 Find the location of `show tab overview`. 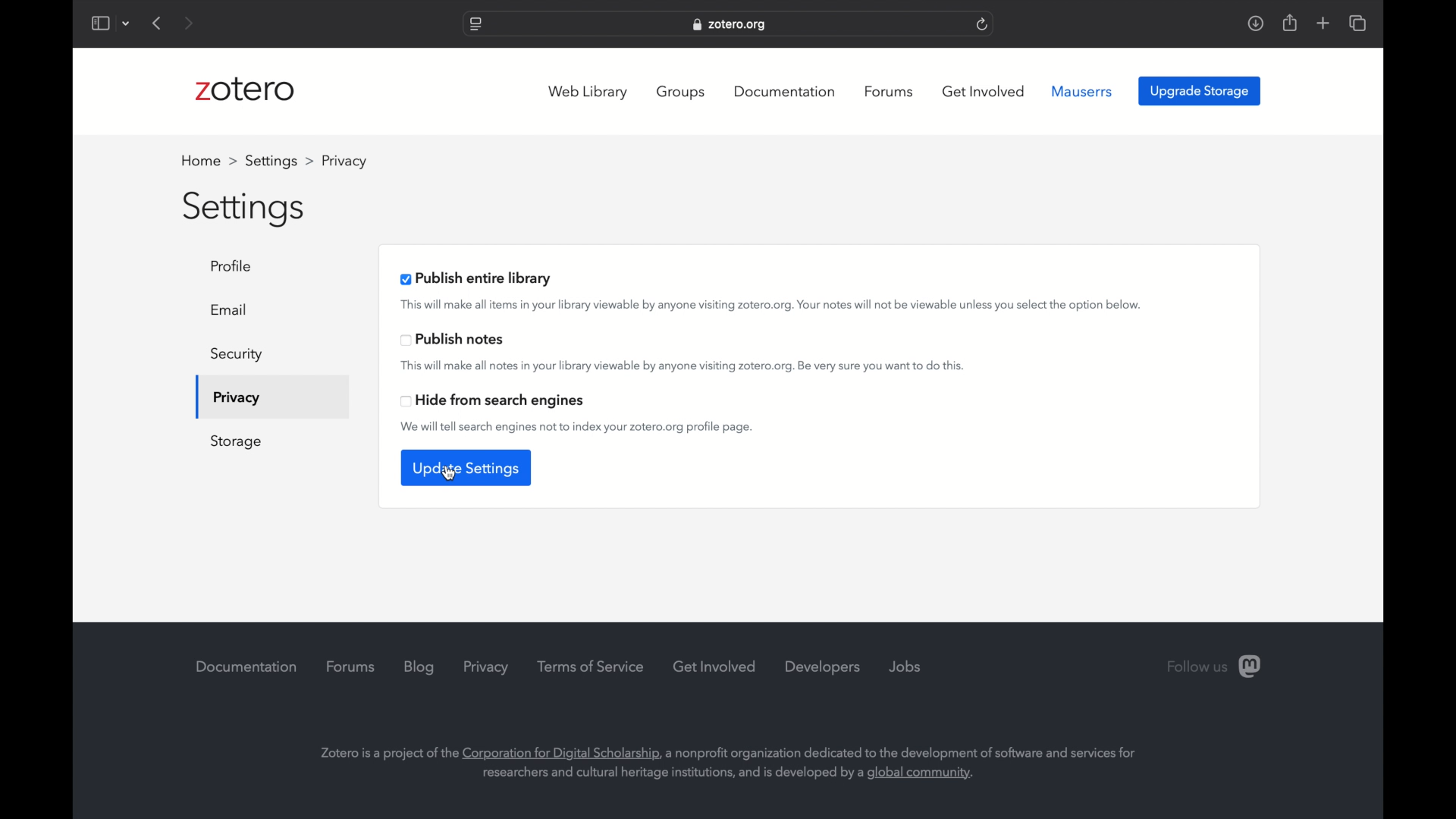

show tab overview is located at coordinates (1359, 23).